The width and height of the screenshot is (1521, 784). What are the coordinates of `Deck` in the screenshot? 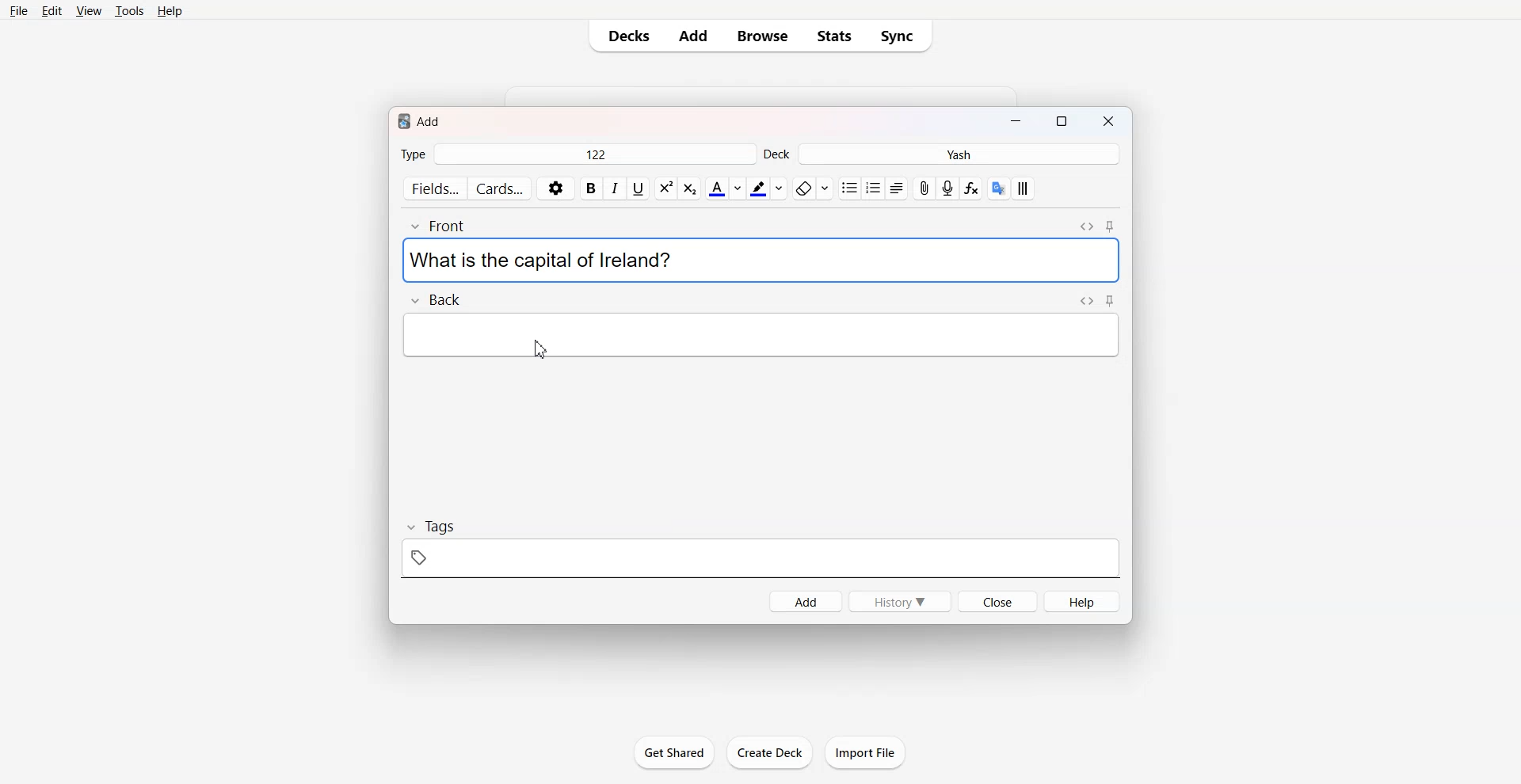 It's located at (942, 154).